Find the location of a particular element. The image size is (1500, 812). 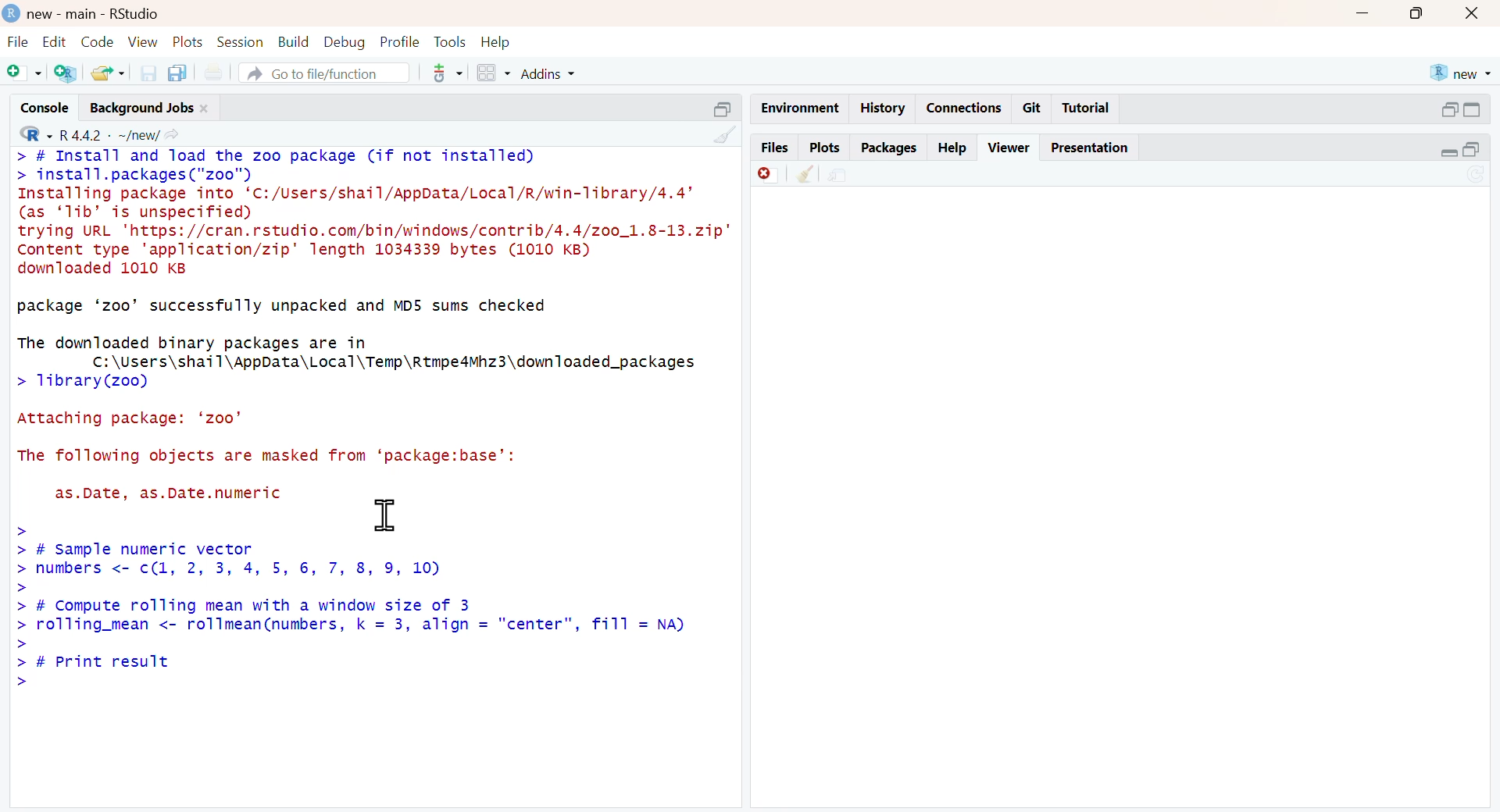

help is located at coordinates (954, 148).